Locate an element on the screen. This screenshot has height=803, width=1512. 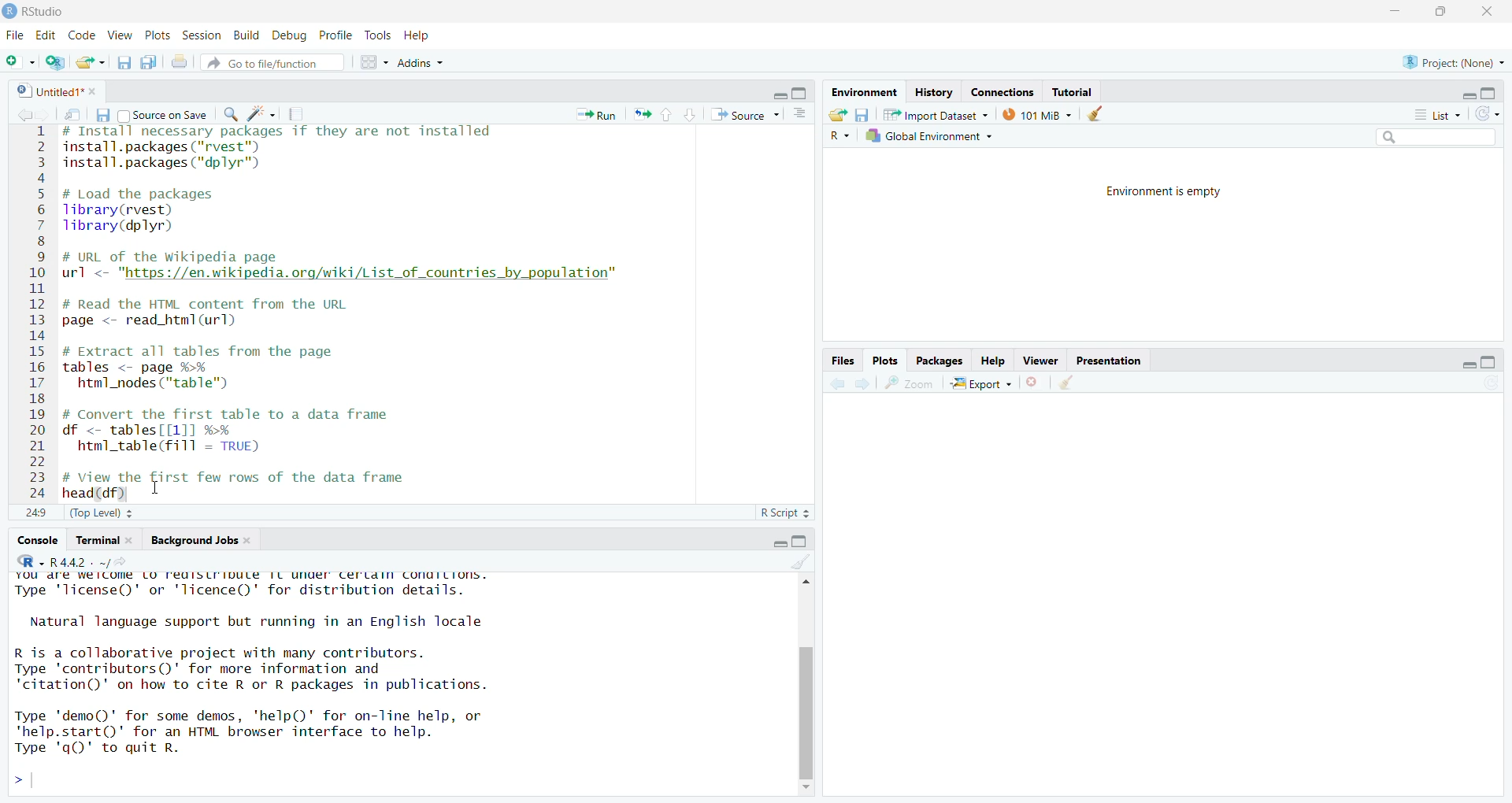
Source is located at coordinates (745, 114).